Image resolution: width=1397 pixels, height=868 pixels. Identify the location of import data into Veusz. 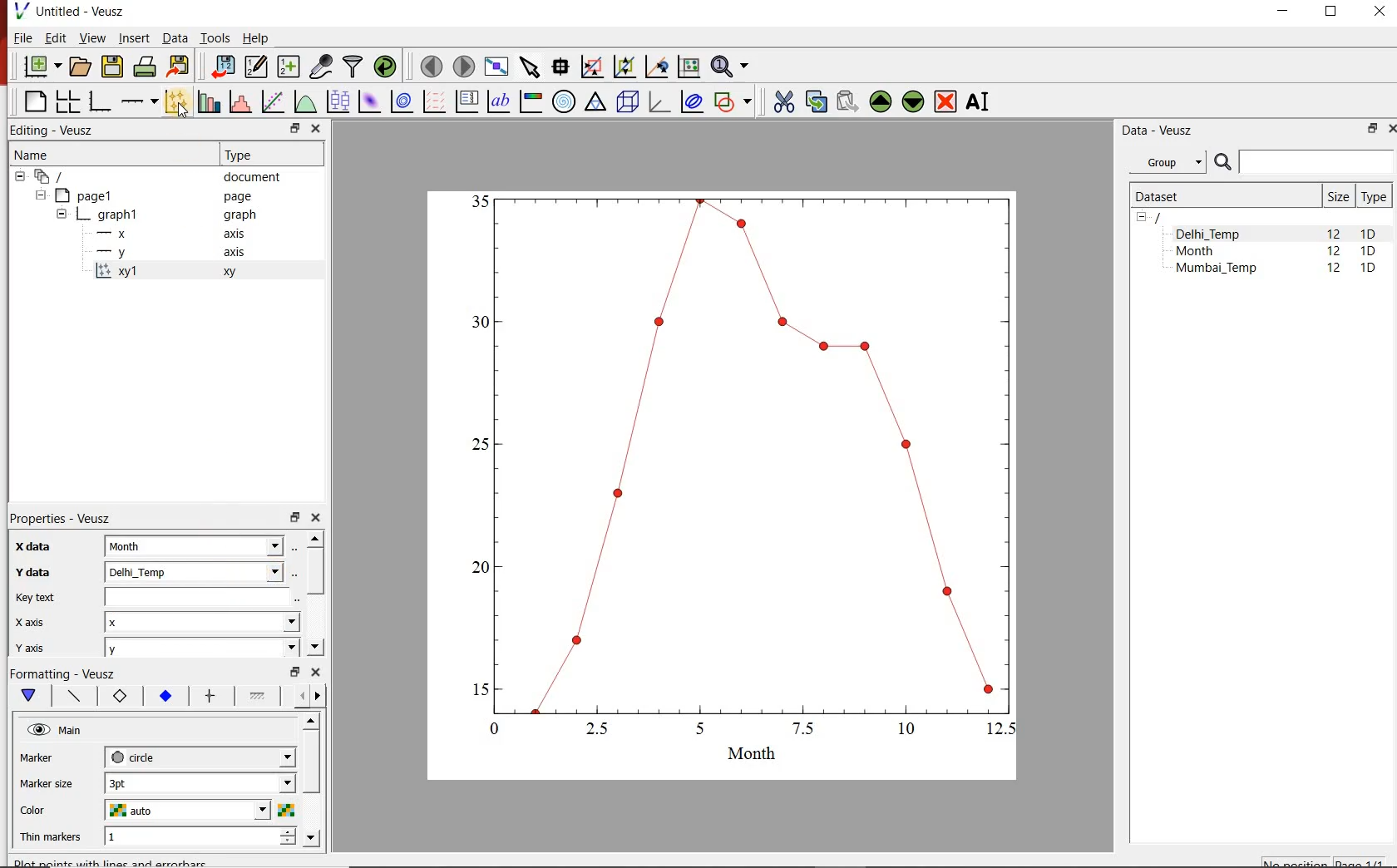
(221, 67).